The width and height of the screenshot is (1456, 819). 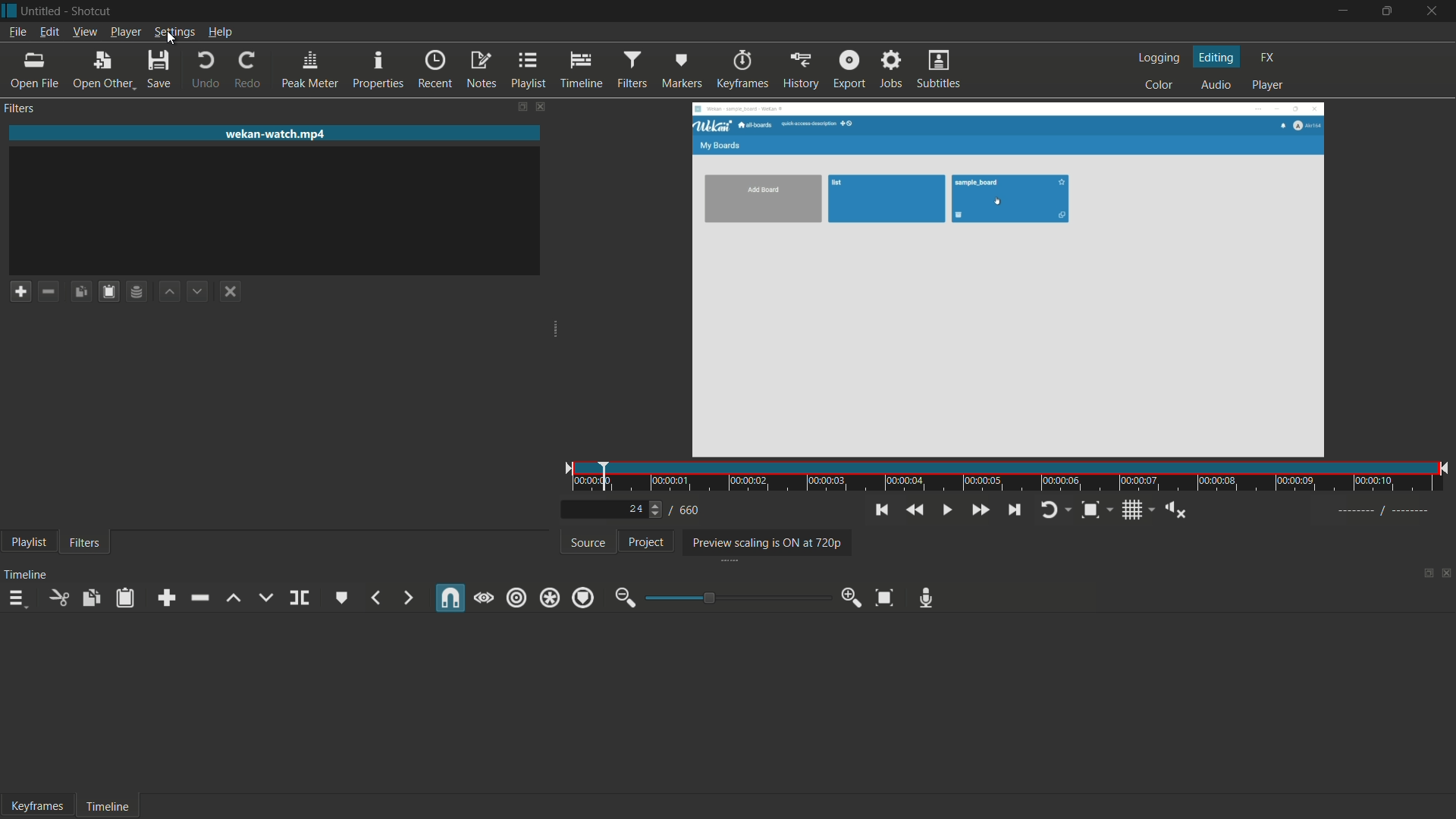 What do you see at coordinates (9, 10) in the screenshot?
I see `app icon` at bounding box center [9, 10].